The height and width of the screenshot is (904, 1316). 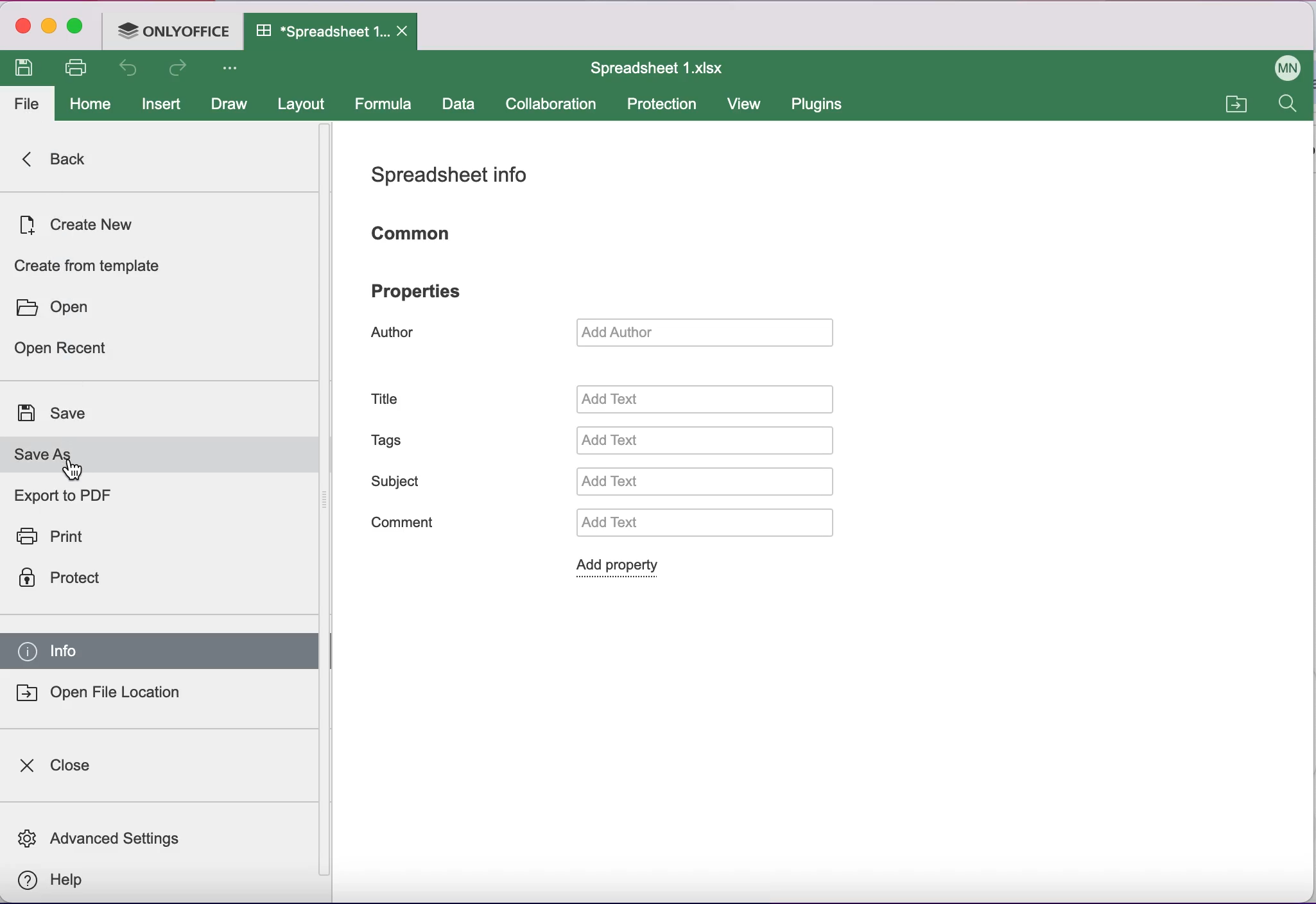 What do you see at coordinates (76, 497) in the screenshot?
I see `export to pdf` at bounding box center [76, 497].